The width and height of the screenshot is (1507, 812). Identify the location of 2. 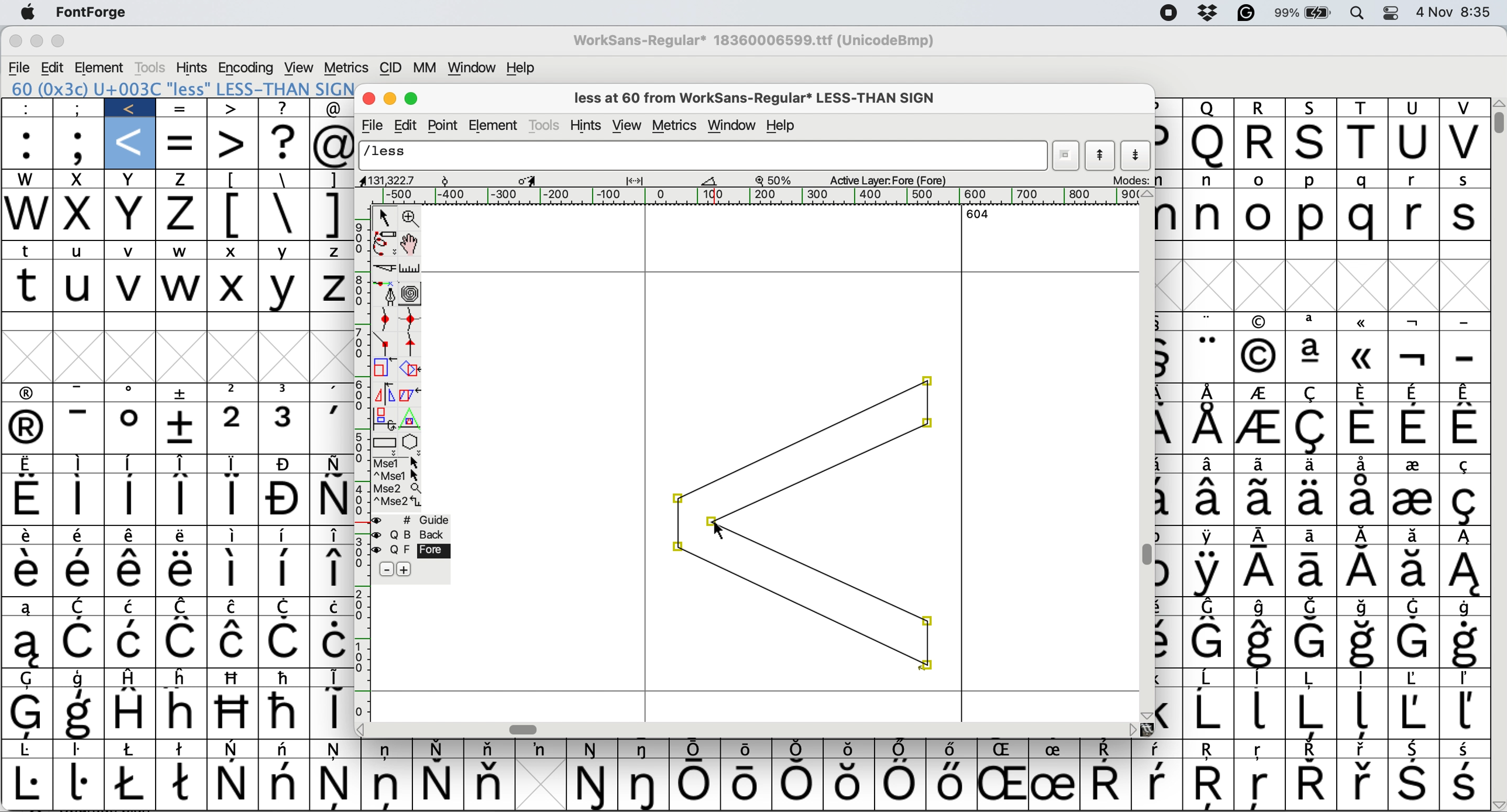
(234, 392).